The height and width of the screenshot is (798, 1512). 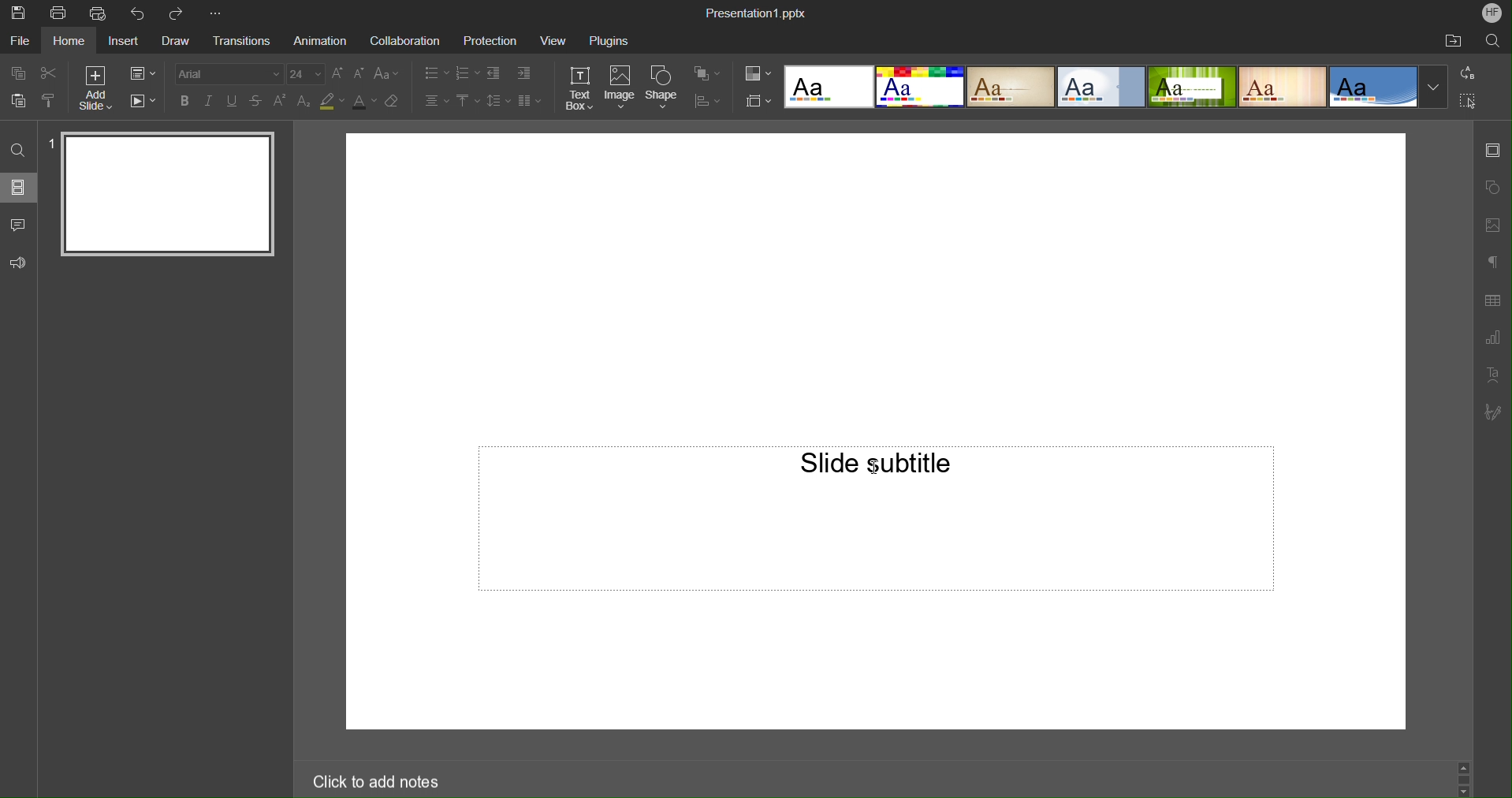 I want to click on Color, so click(x=758, y=73).